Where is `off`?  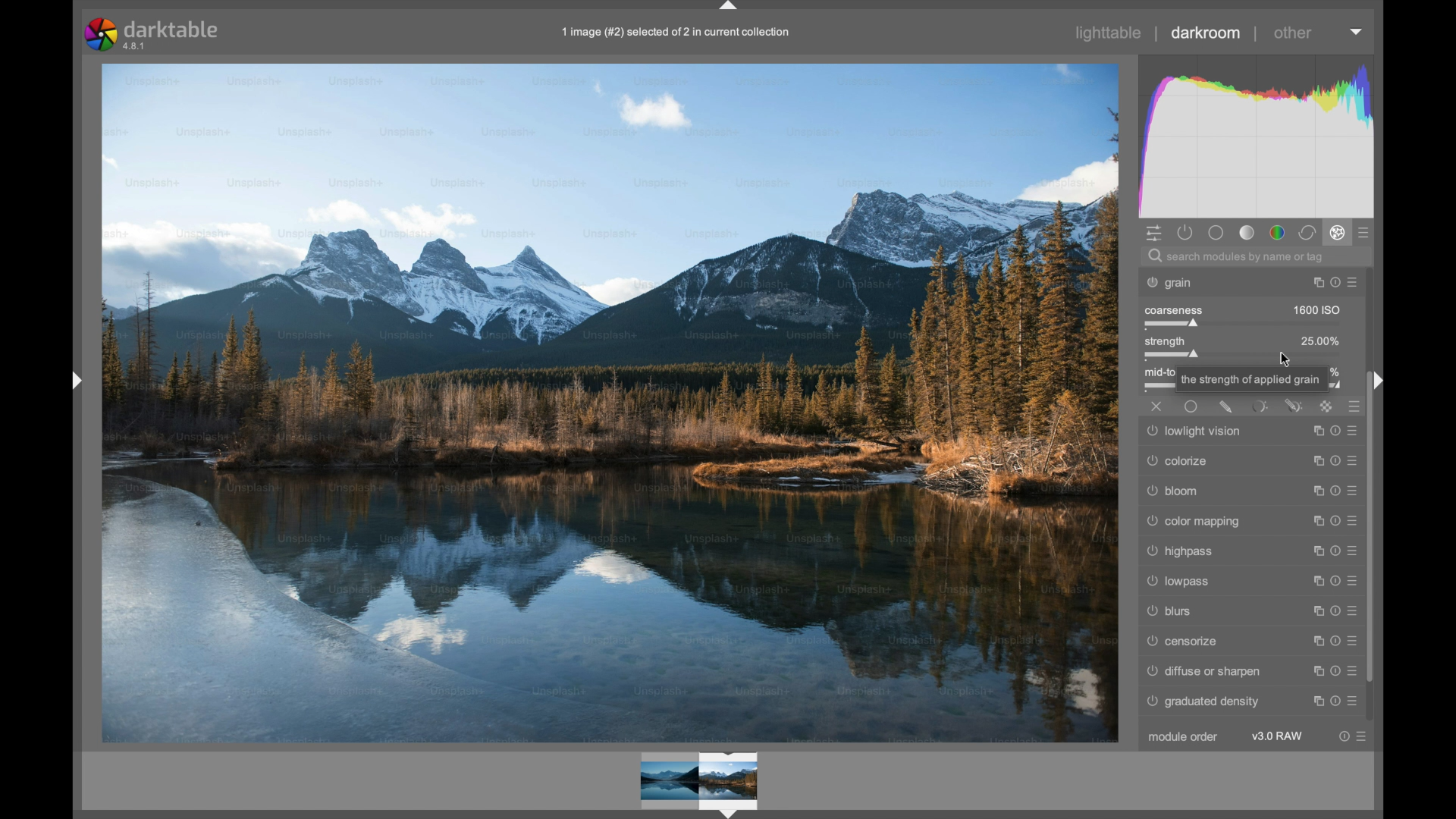 off is located at coordinates (1157, 406).